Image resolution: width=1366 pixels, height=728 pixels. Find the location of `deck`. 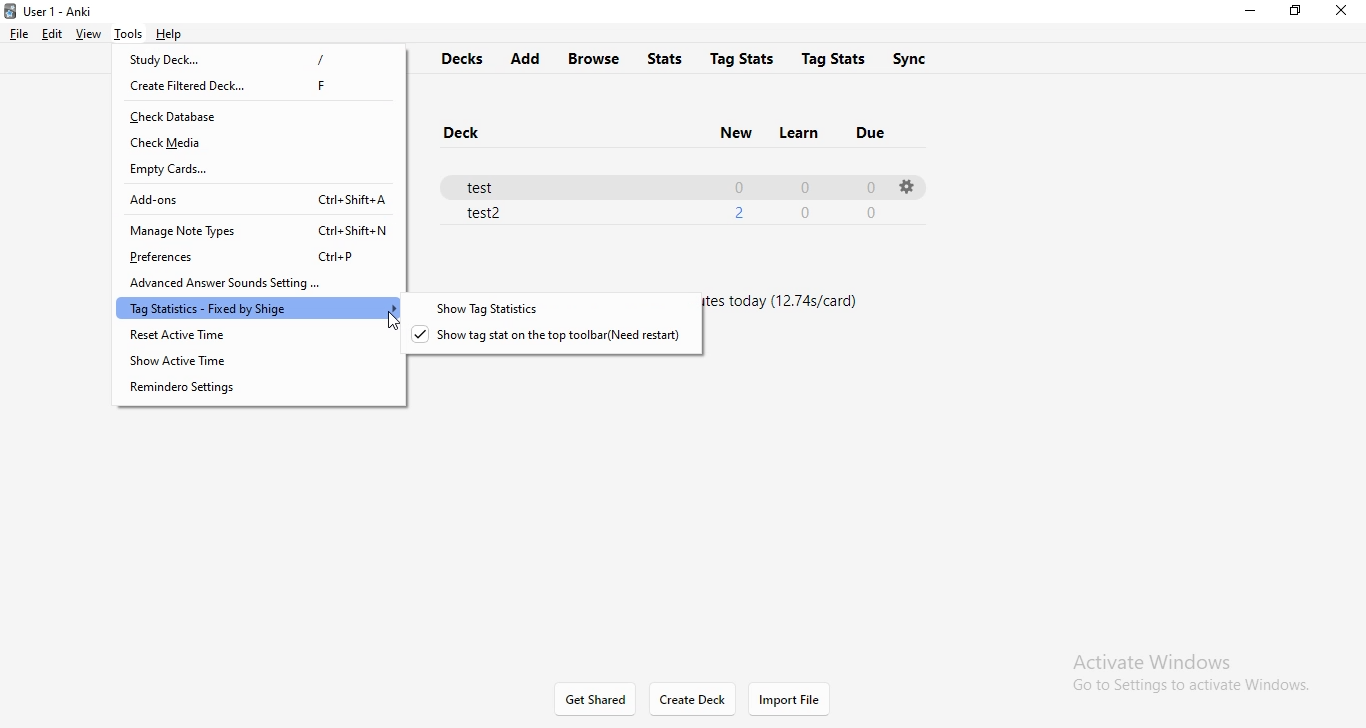

deck is located at coordinates (460, 133).